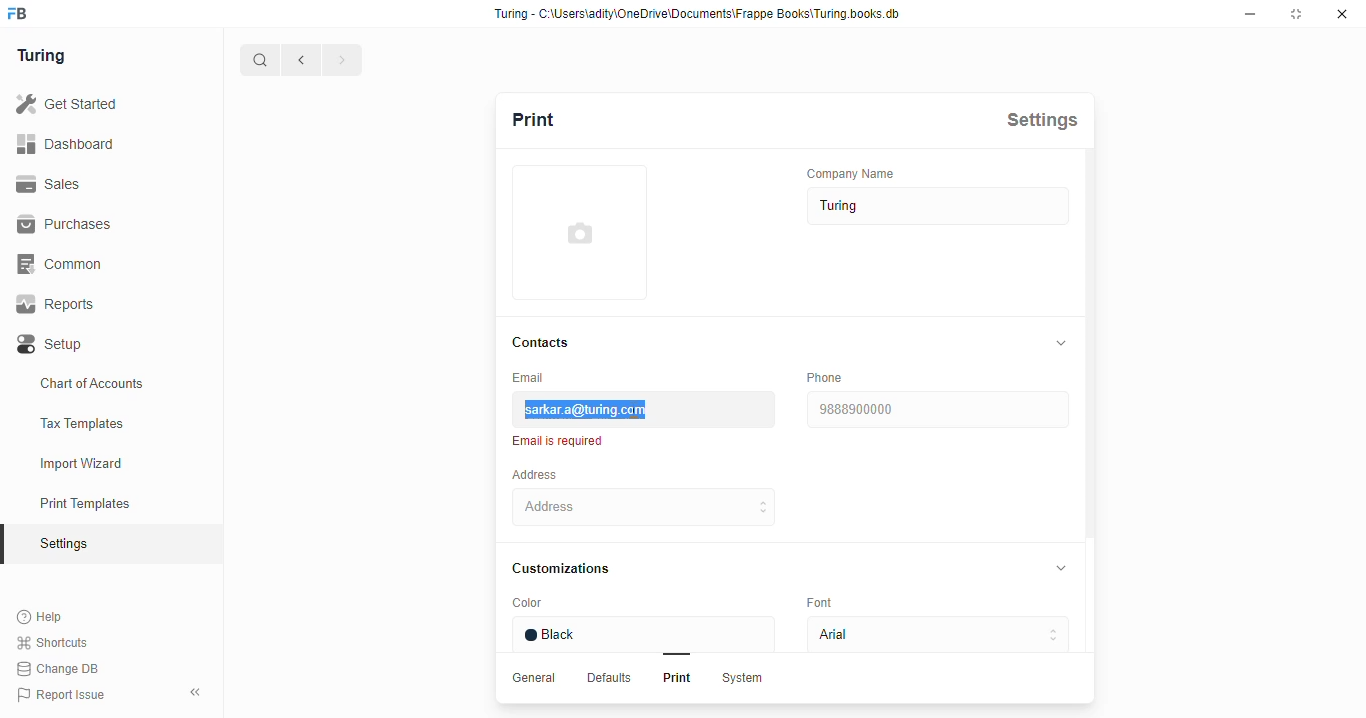 Image resolution: width=1366 pixels, height=718 pixels. What do you see at coordinates (108, 462) in the screenshot?
I see `Import Wizard` at bounding box center [108, 462].